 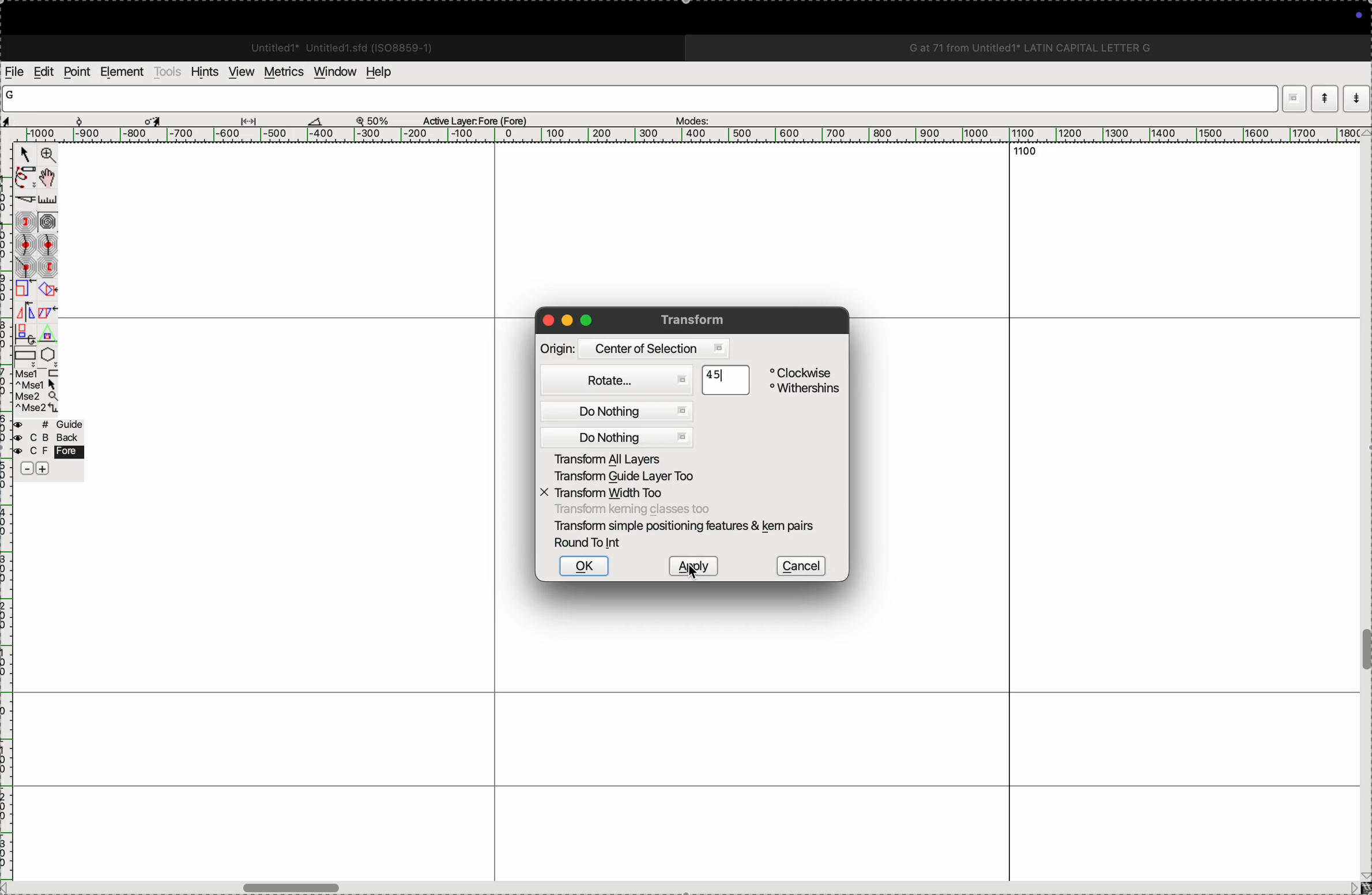 What do you see at coordinates (805, 566) in the screenshot?
I see `cancel` at bounding box center [805, 566].